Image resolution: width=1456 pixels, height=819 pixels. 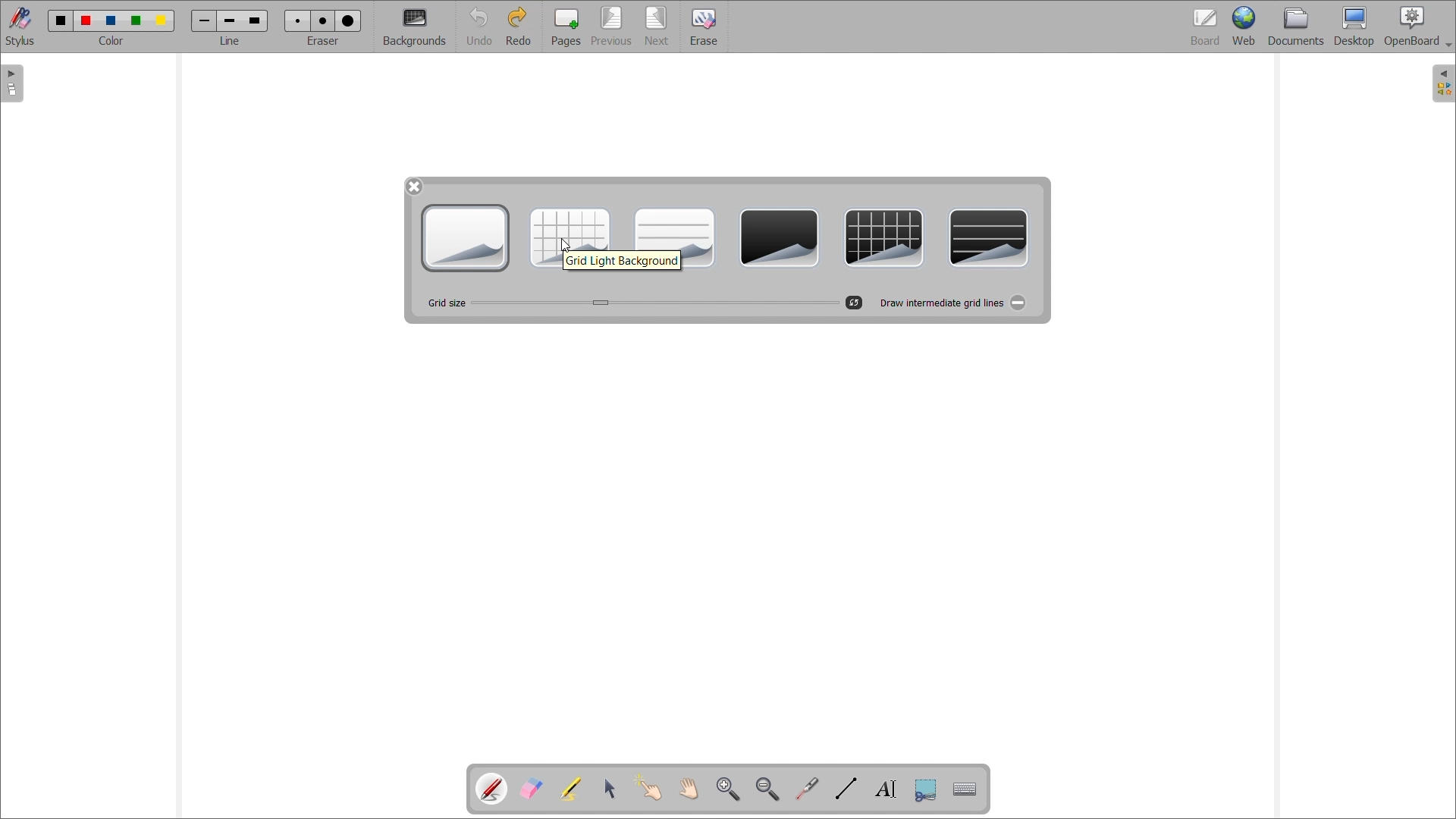 I want to click on Virtual laser pointer, so click(x=807, y=789).